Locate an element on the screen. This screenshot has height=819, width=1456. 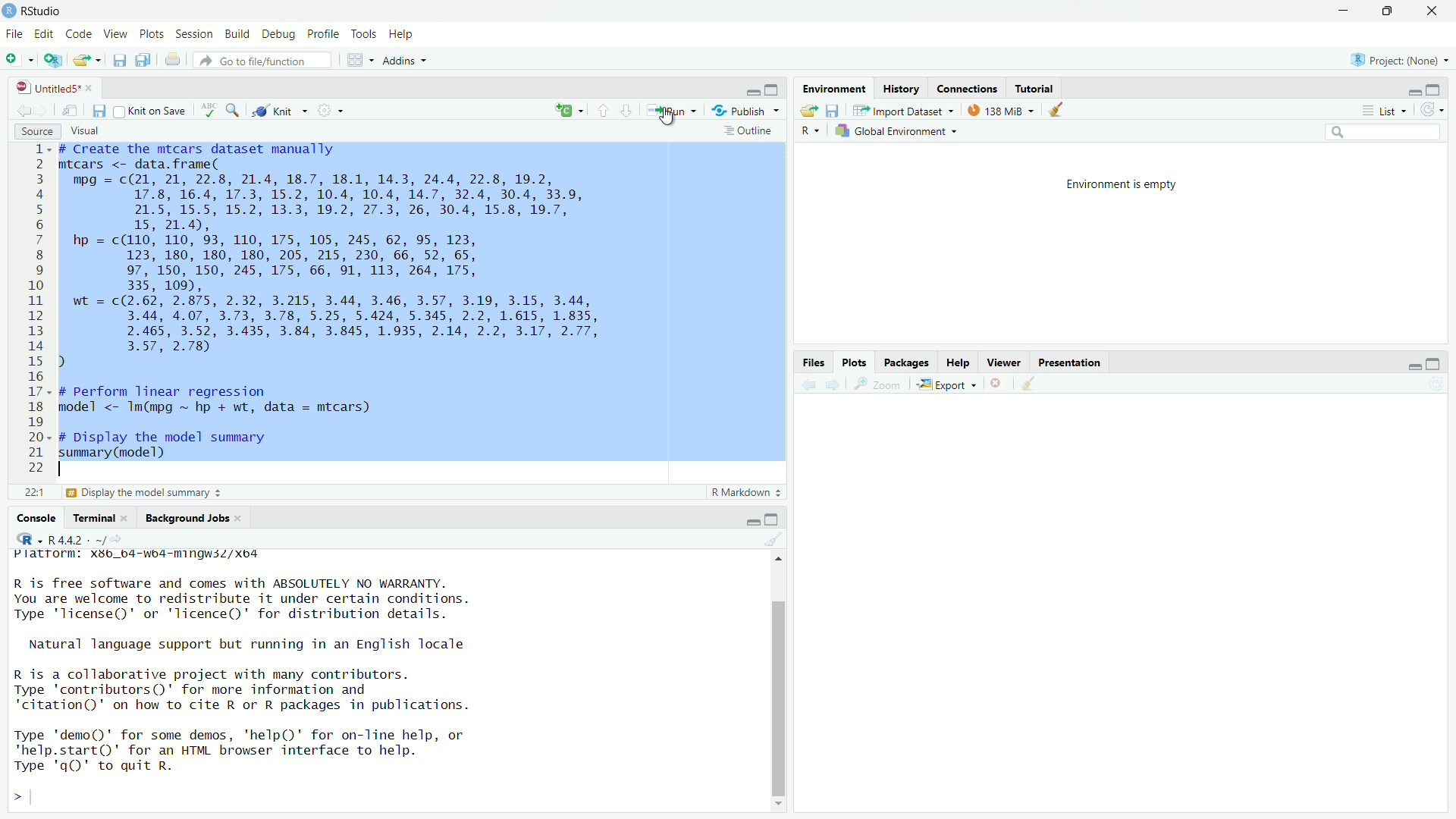
Addins is located at coordinates (400, 62).